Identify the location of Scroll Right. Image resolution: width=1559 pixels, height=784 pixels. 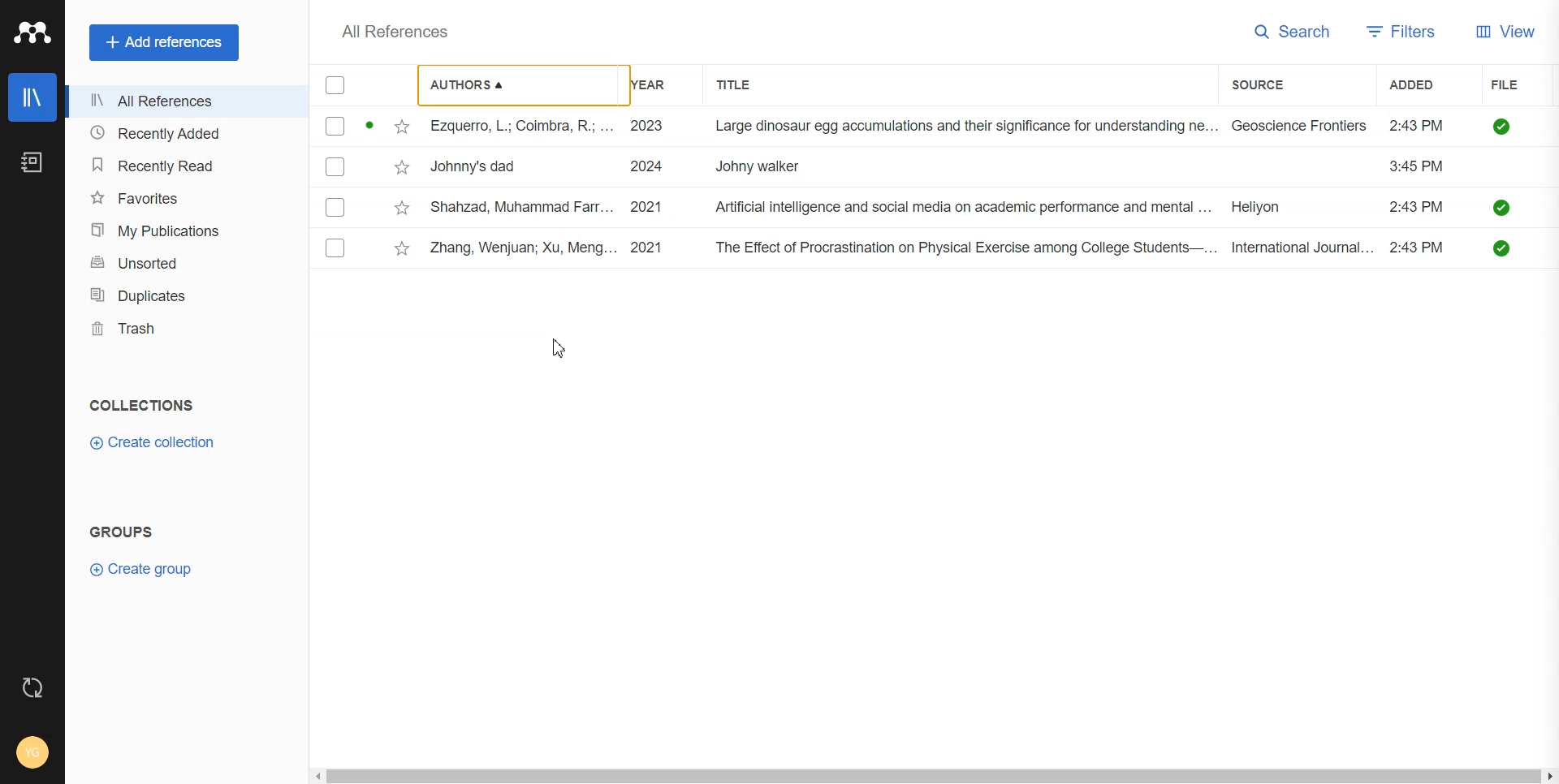
(1549, 774).